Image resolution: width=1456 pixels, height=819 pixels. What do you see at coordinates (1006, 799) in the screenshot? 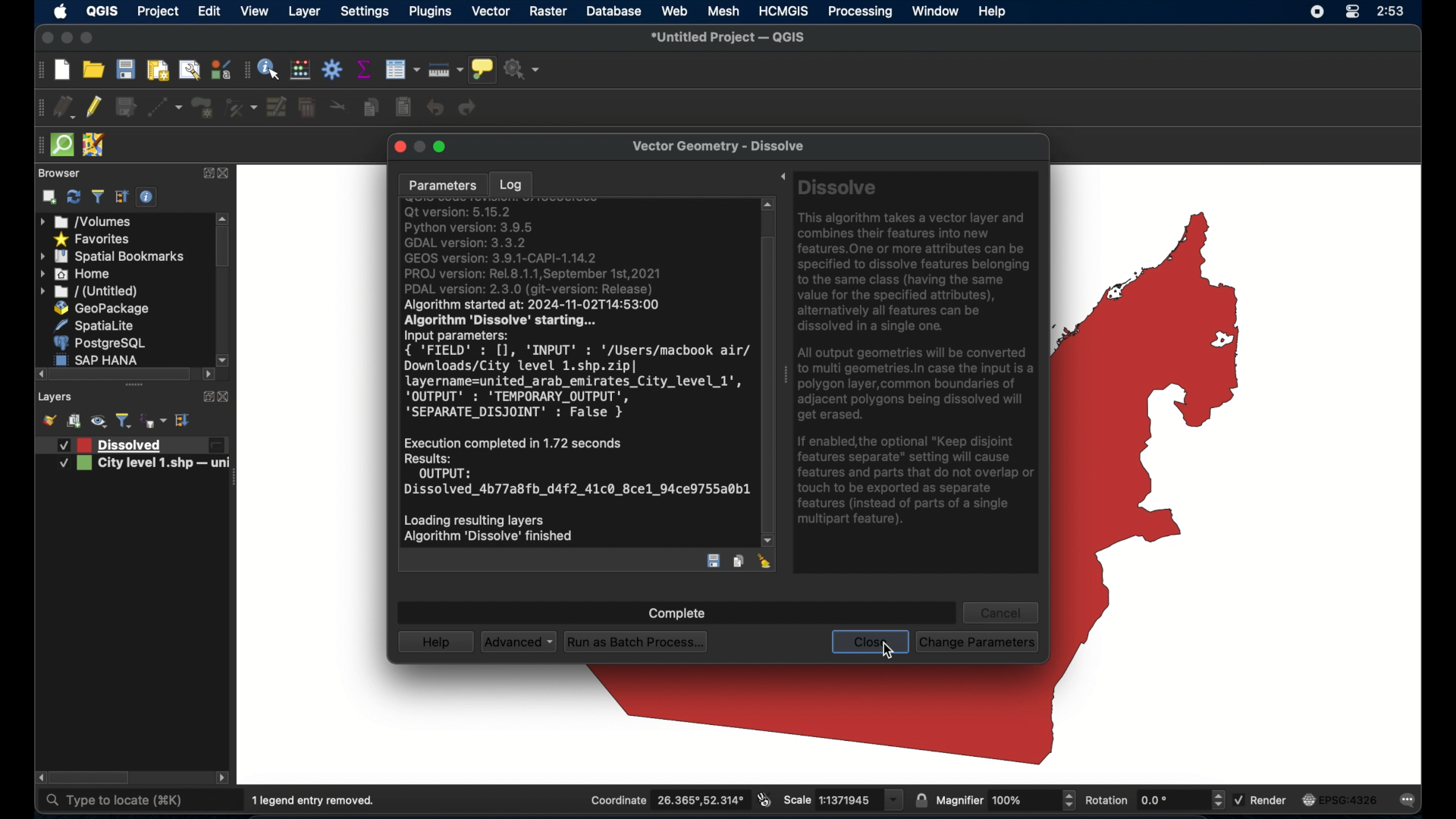
I see `magnifier` at bounding box center [1006, 799].